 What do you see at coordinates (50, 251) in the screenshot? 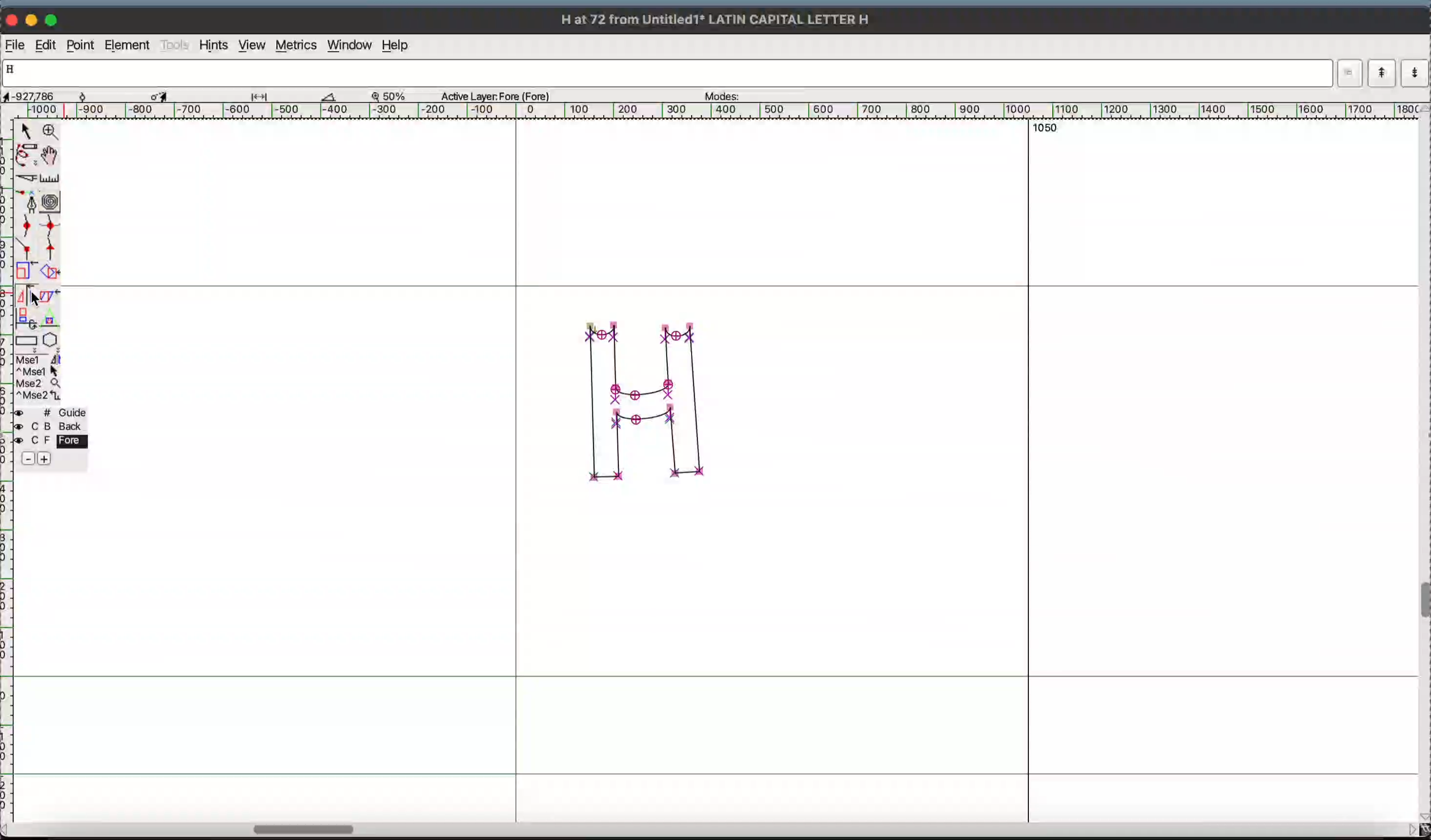
I see `tangent` at bounding box center [50, 251].